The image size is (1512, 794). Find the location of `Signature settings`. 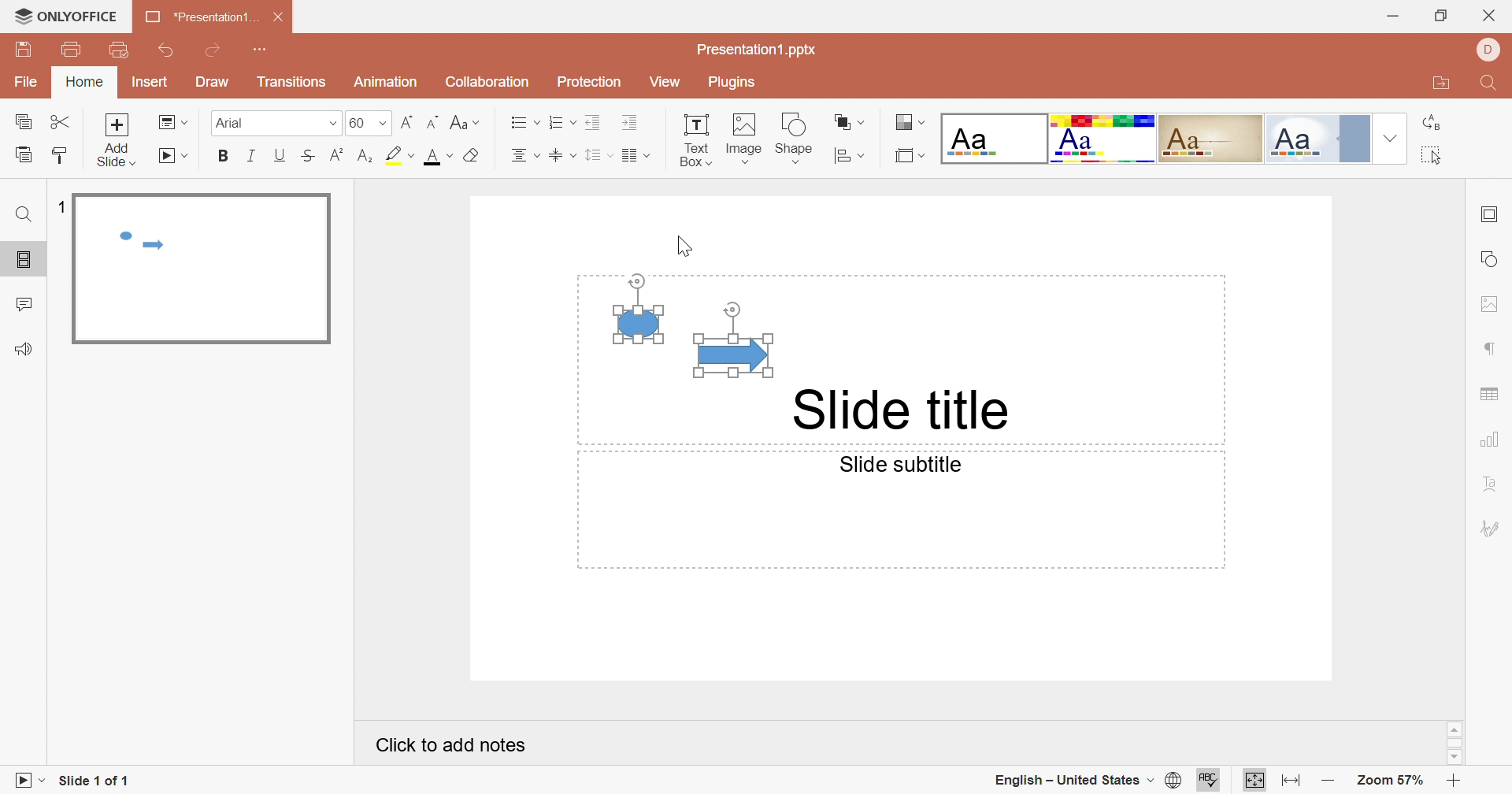

Signature settings is located at coordinates (1492, 532).